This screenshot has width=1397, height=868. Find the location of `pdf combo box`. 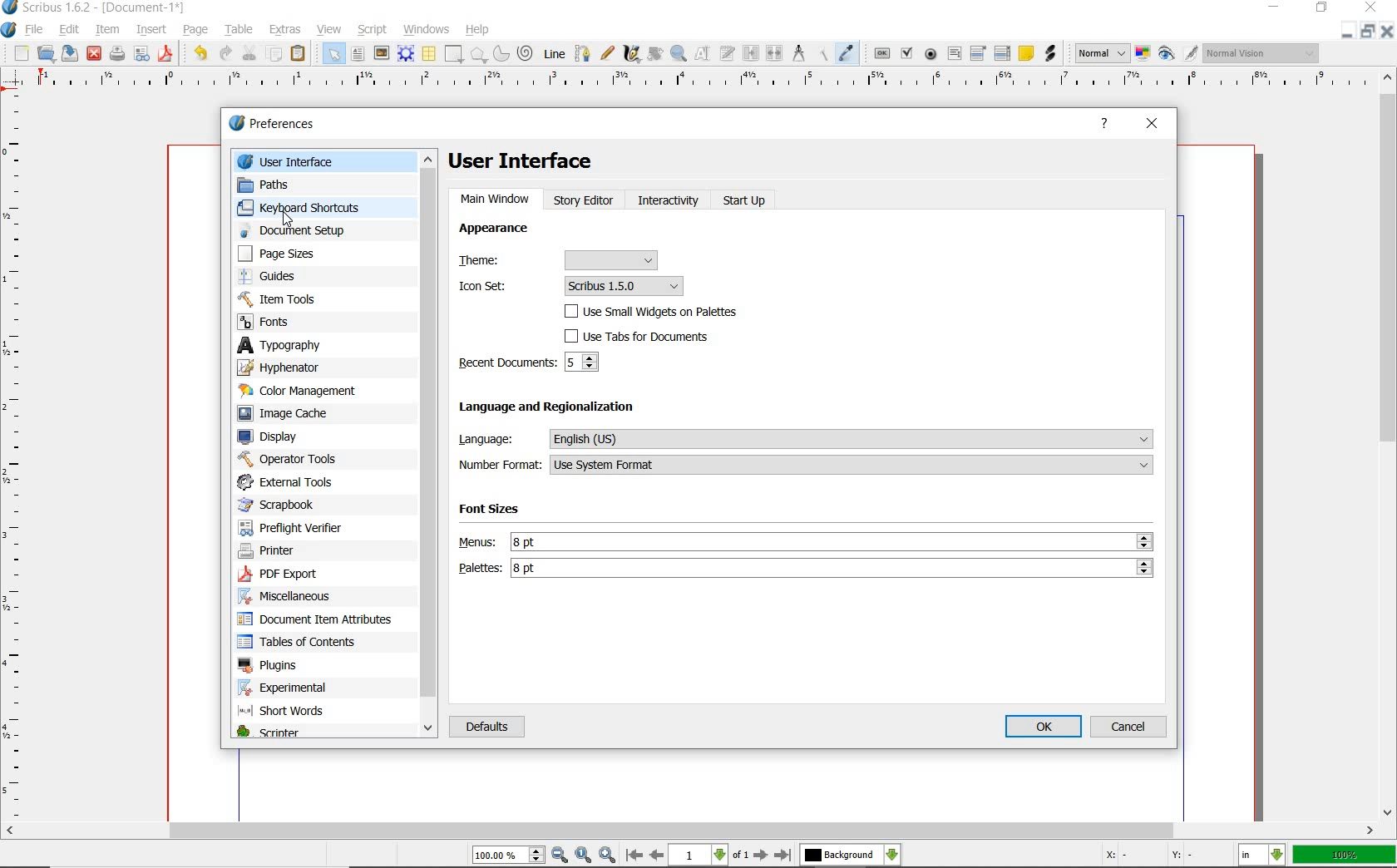

pdf combo box is located at coordinates (978, 54).